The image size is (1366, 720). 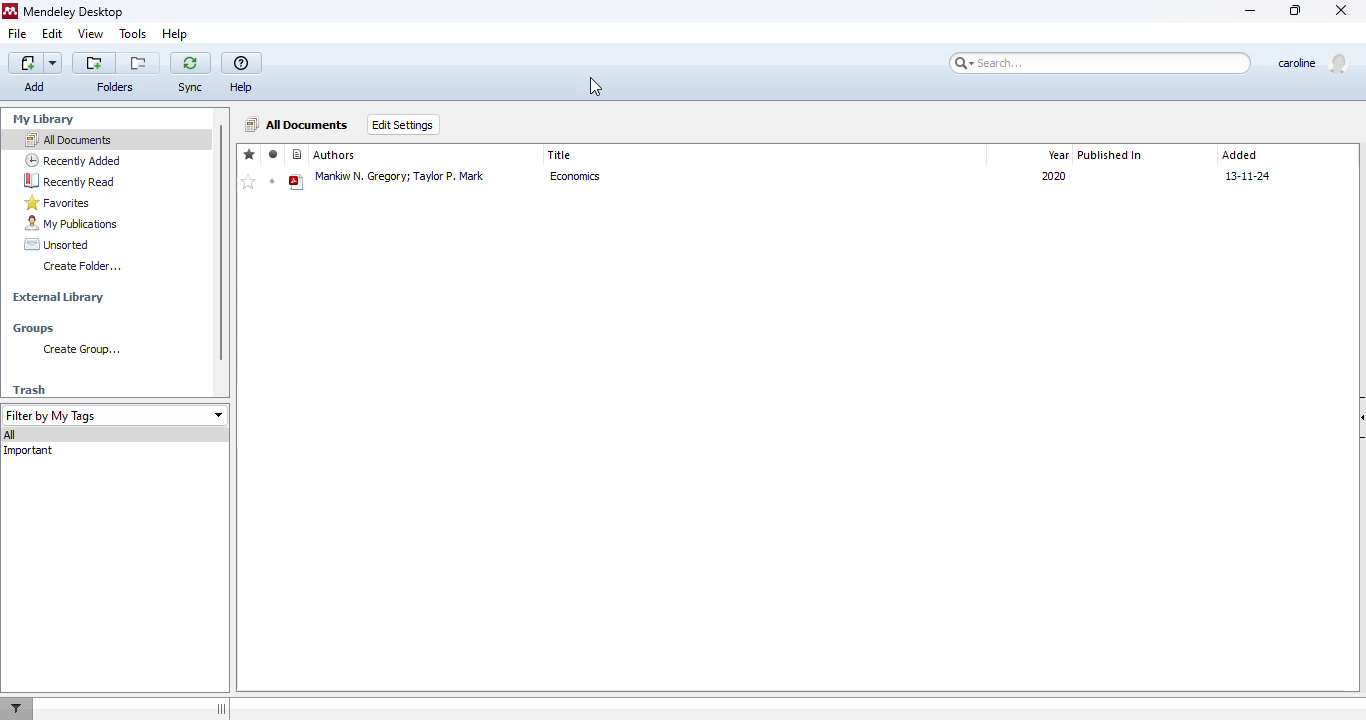 What do you see at coordinates (1341, 10) in the screenshot?
I see `close` at bounding box center [1341, 10].